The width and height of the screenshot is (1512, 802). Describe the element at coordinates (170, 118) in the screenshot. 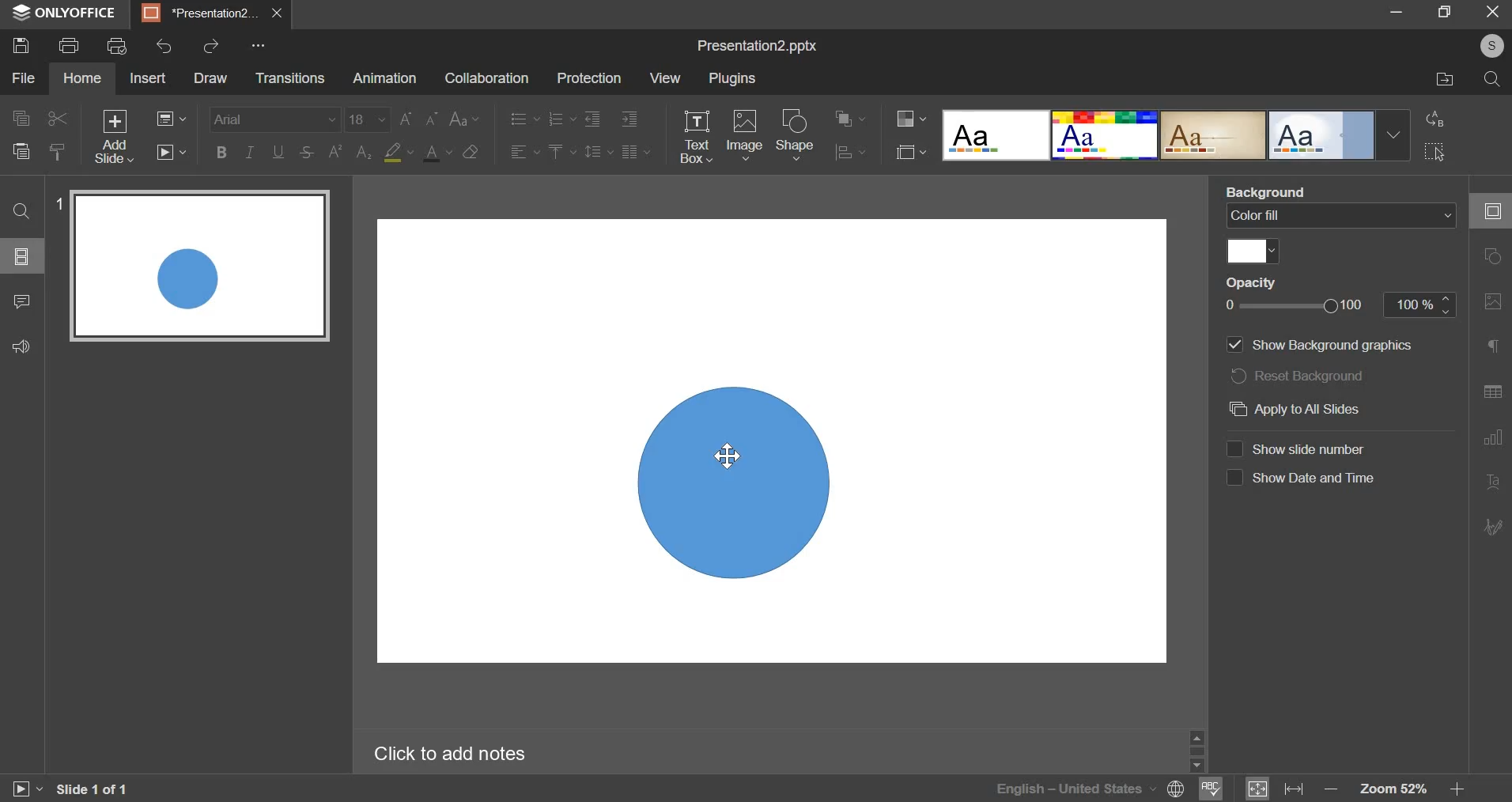

I see `change slide layout` at that location.